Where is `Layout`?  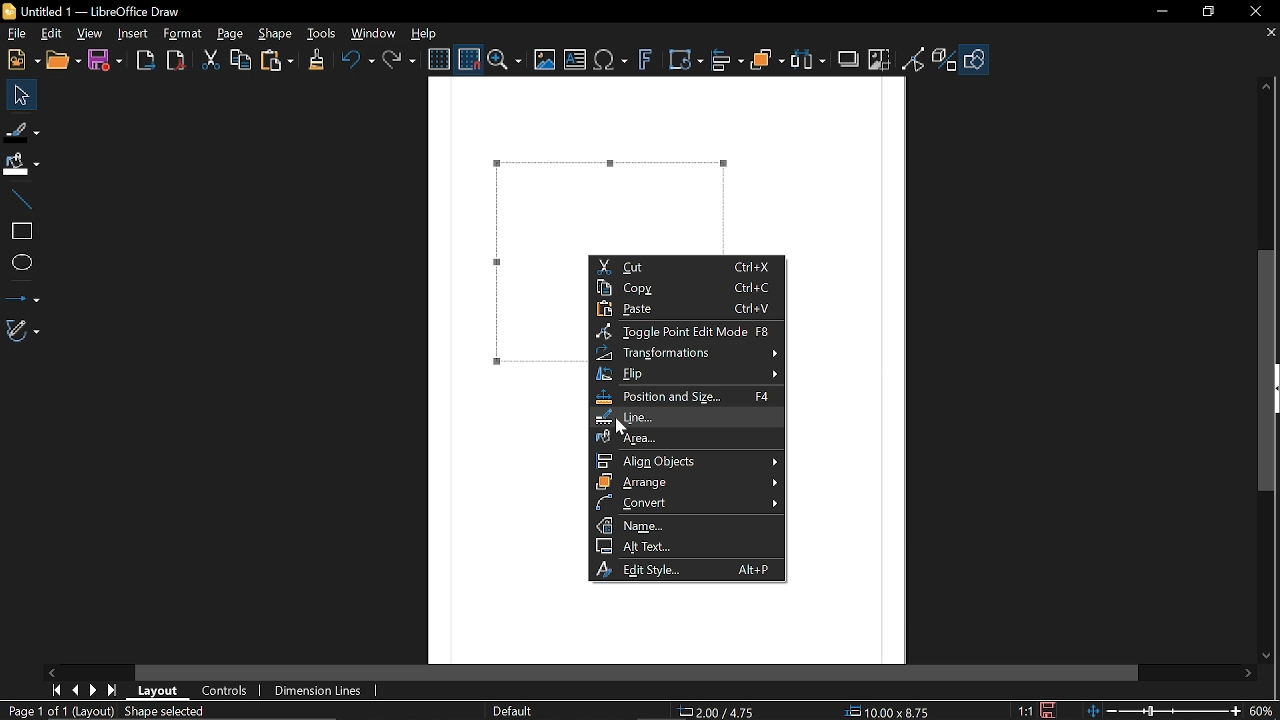 Layout is located at coordinates (162, 691).